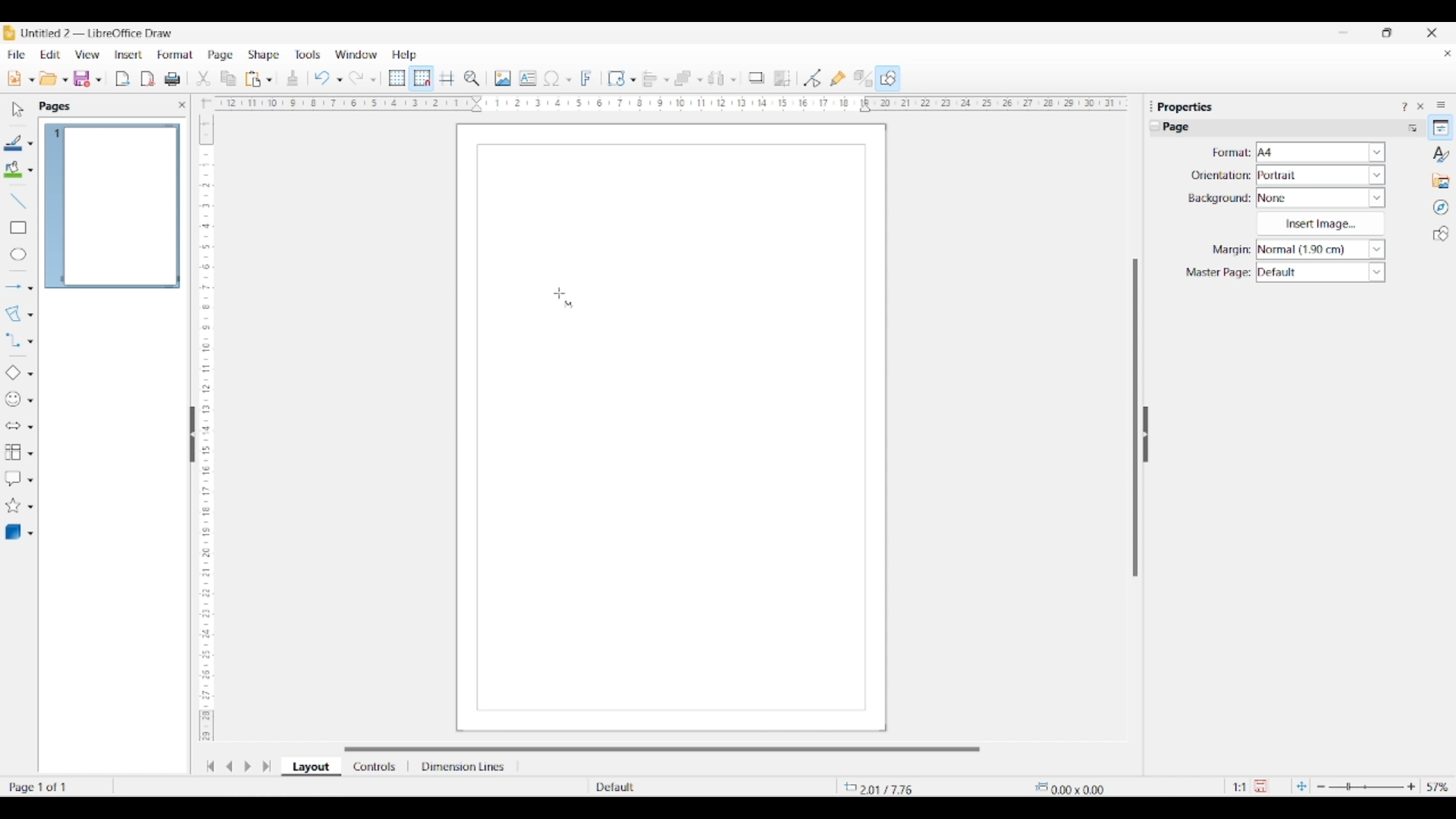 The width and height of the screenshot is (1456, 819). What do you see at coordinates (12, 373) in the screenshot?
I see `Selected basic shape` at bounding box center [12, 373].